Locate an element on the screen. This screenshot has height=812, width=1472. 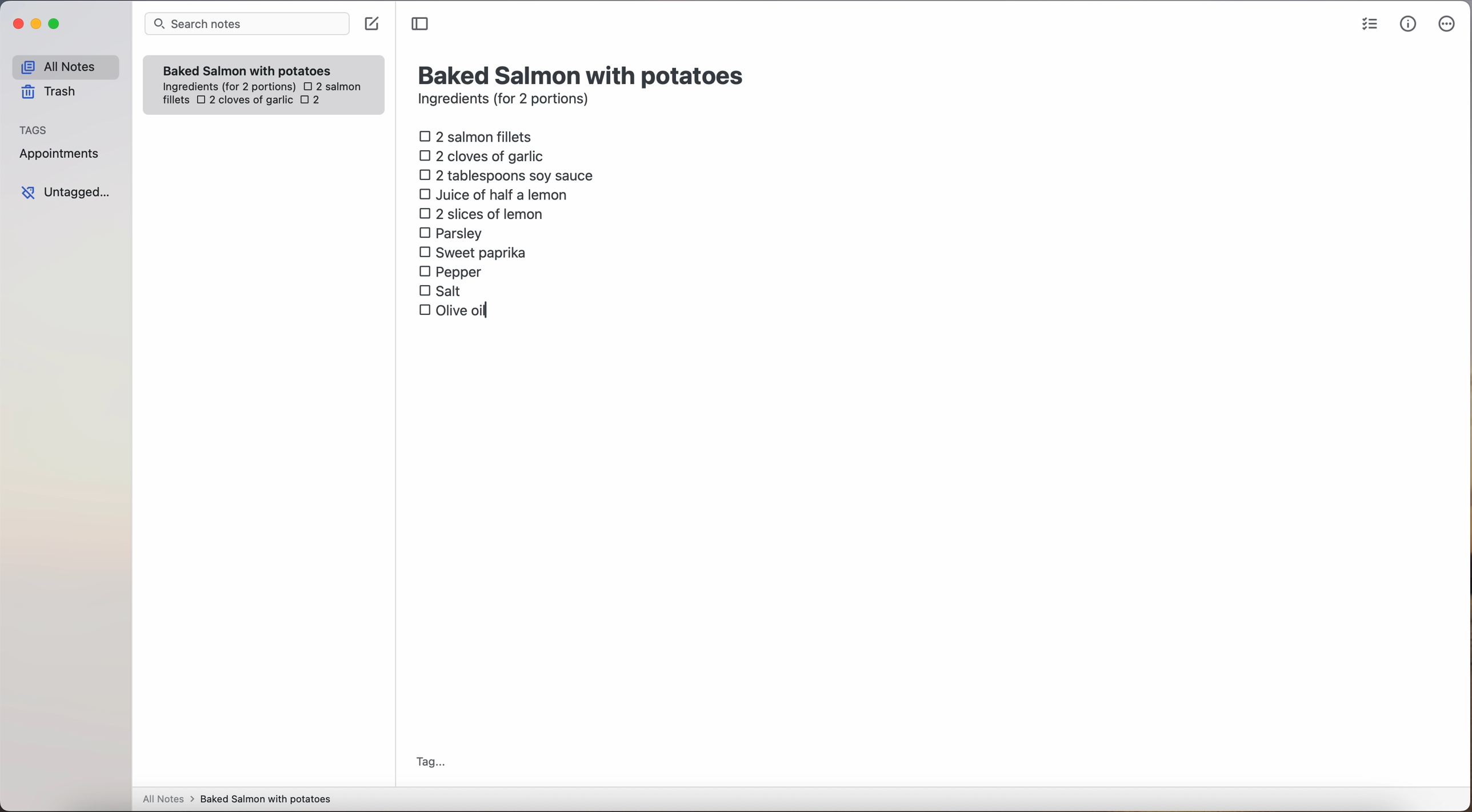
trash is located at coordinates (53, 92).